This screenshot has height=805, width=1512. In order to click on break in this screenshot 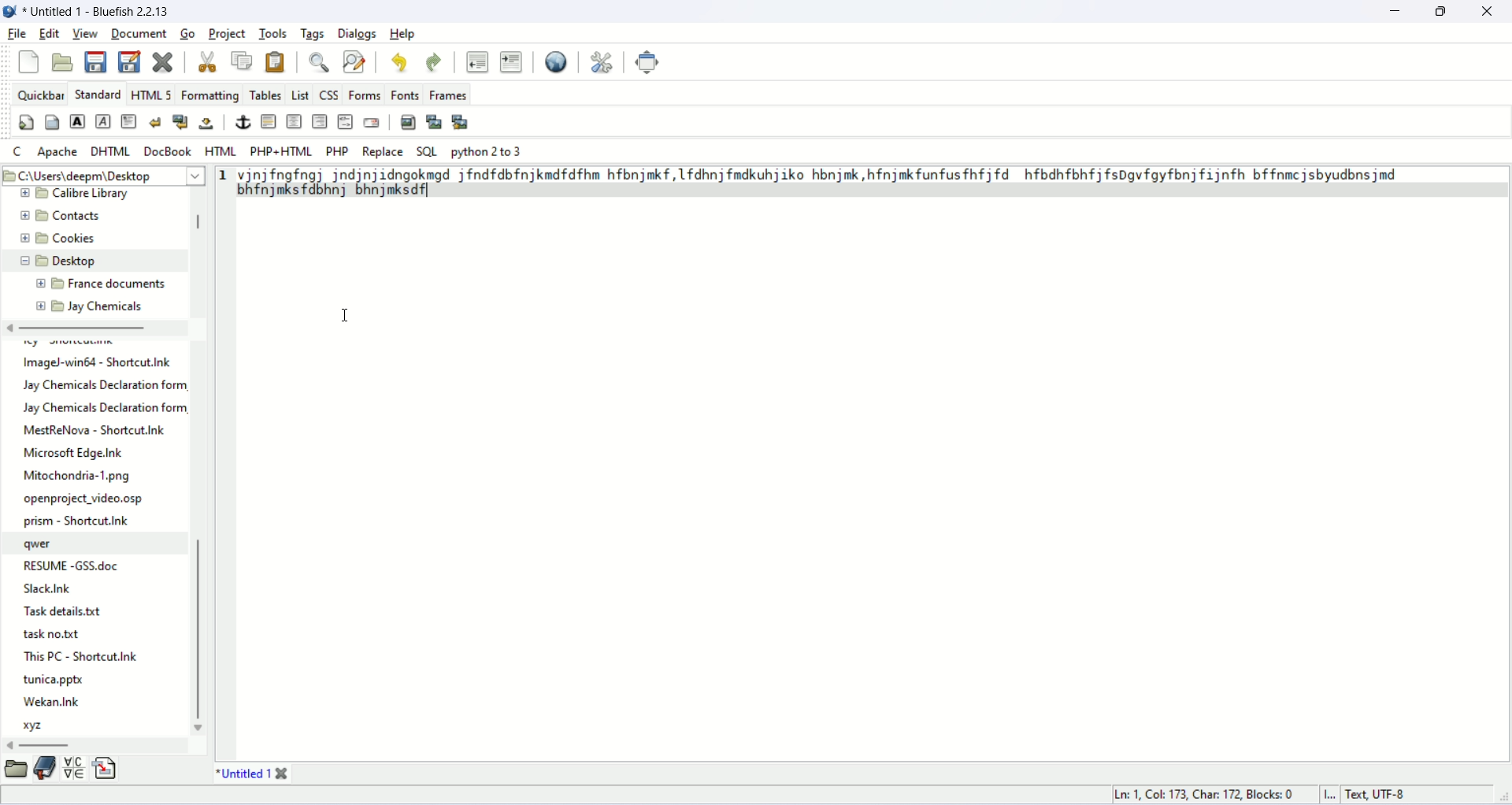, I will do `click(154, 121)`.